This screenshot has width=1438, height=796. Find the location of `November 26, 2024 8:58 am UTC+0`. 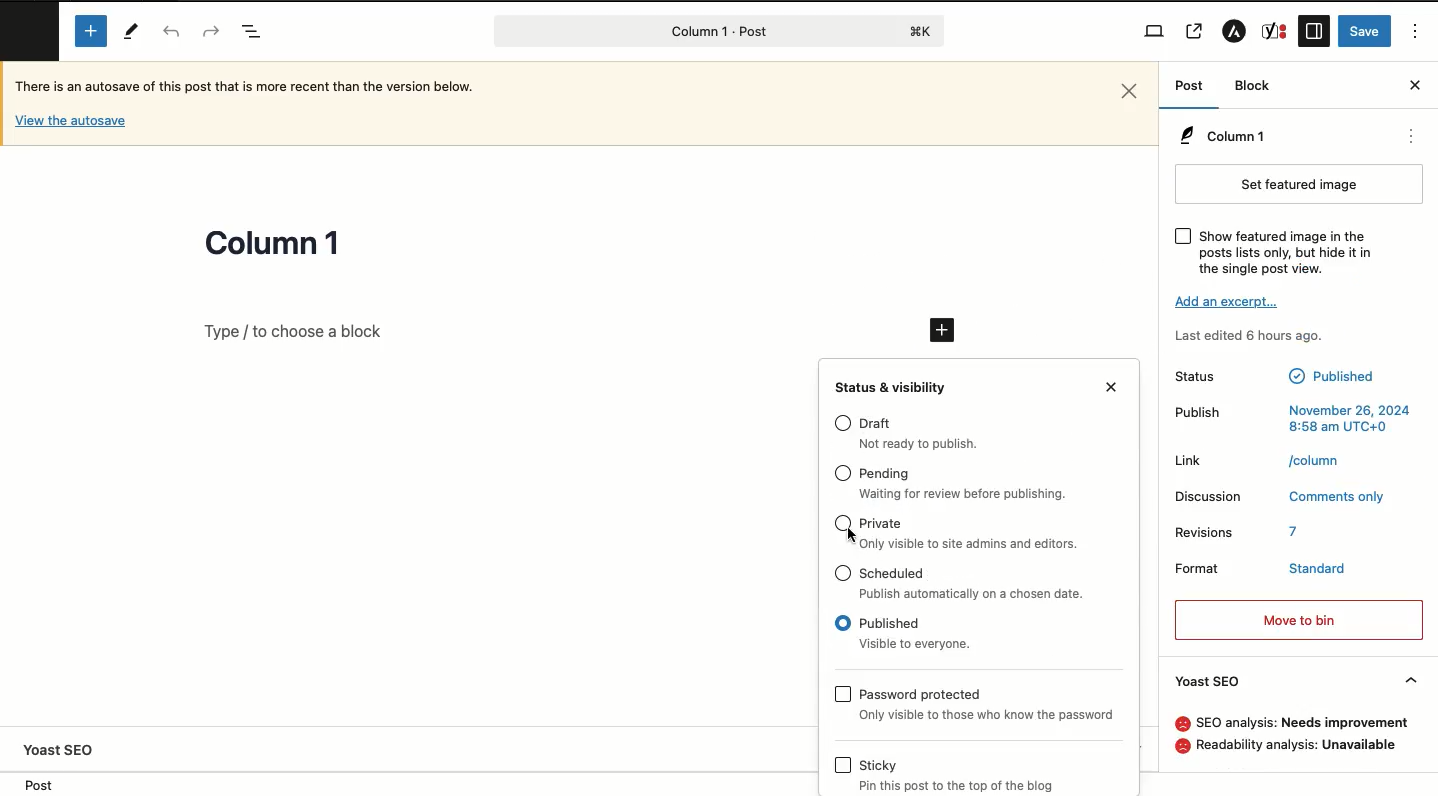

November 26, 2024 8:58 am UTC+0 is located at coordinates (1348, 418).